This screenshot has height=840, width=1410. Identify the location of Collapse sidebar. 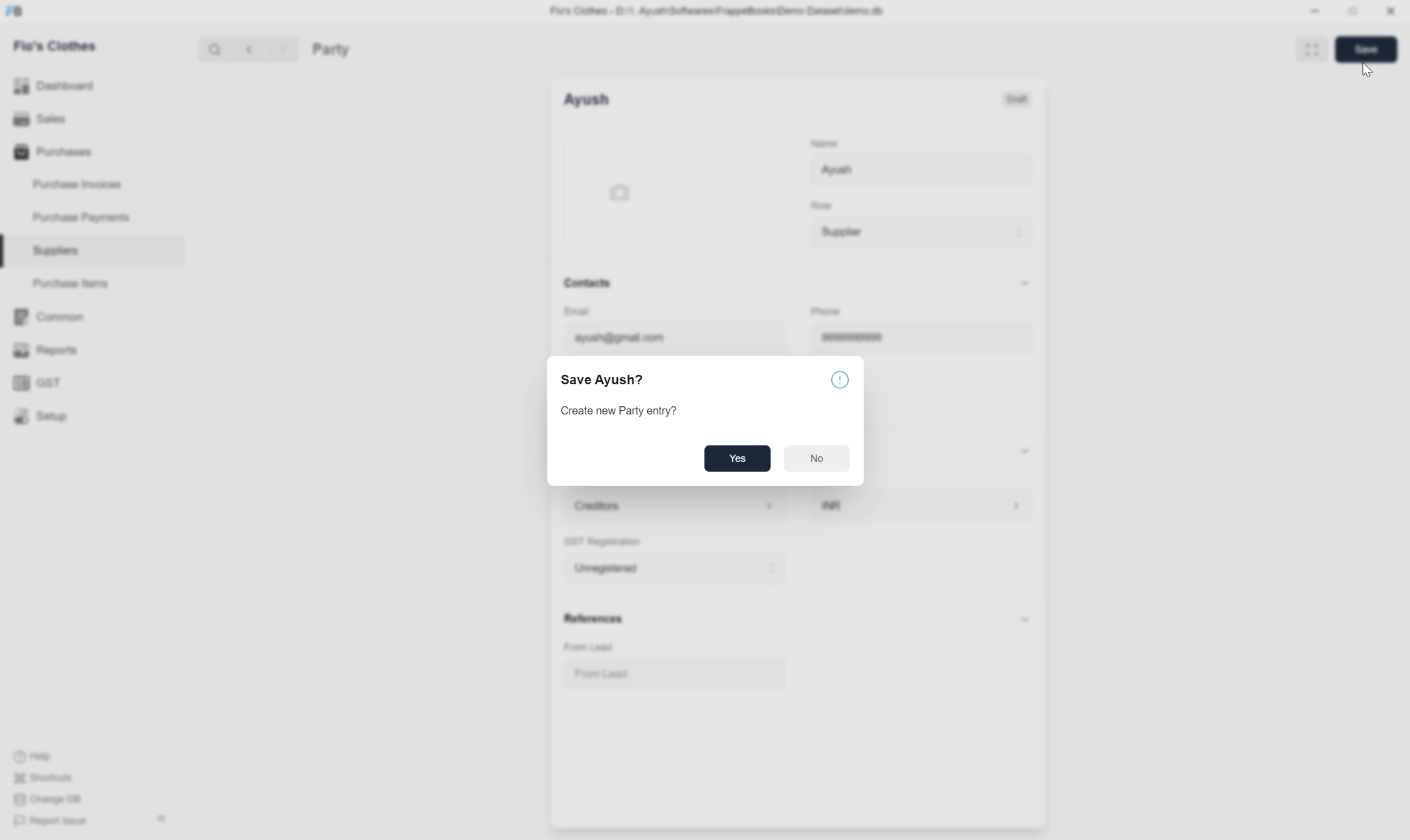
(162, 818).